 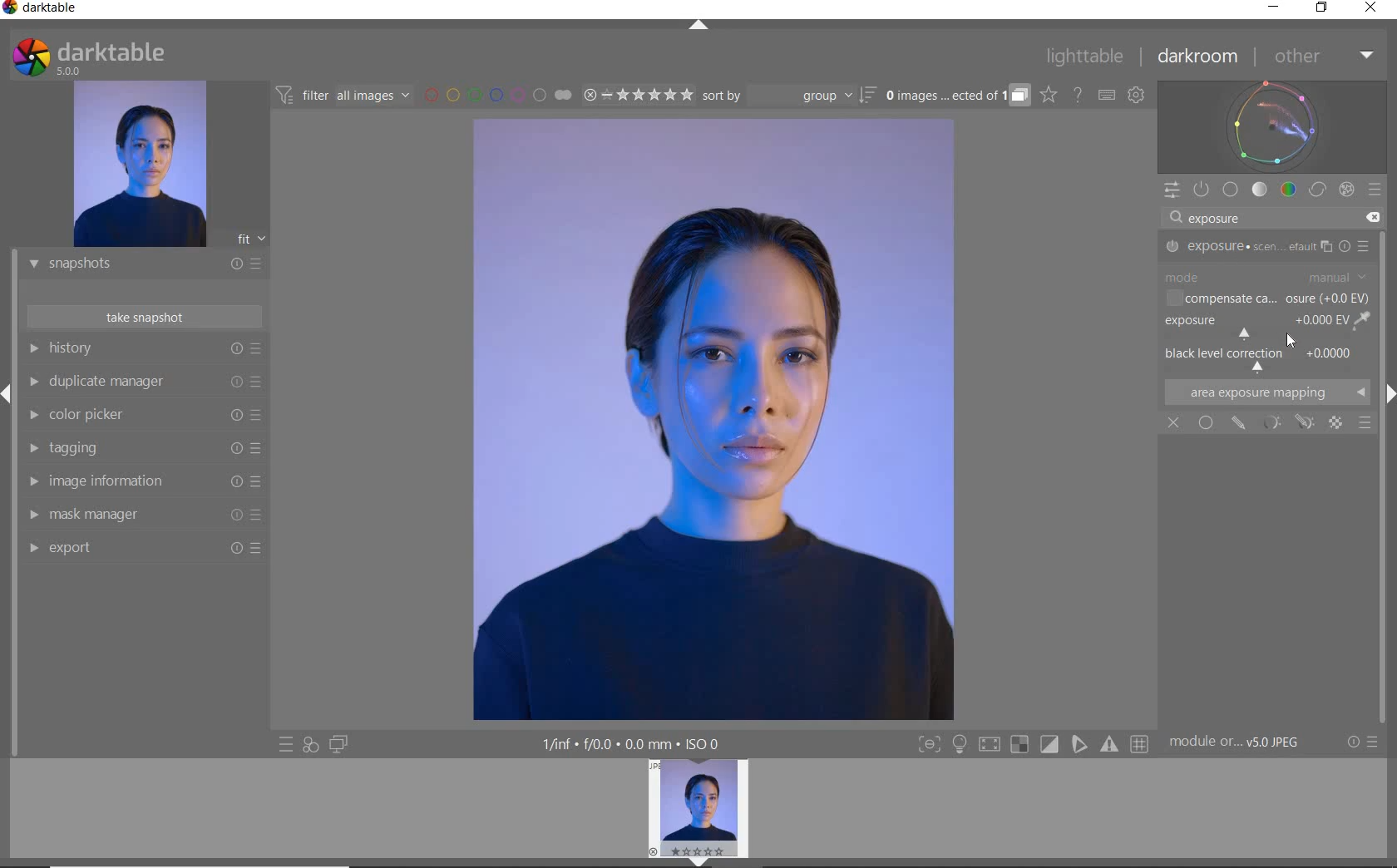 What do you see at coordinates (137, 515) in the screenshot?
I see `MASK MANAGER` at bounding box center [137, 515].